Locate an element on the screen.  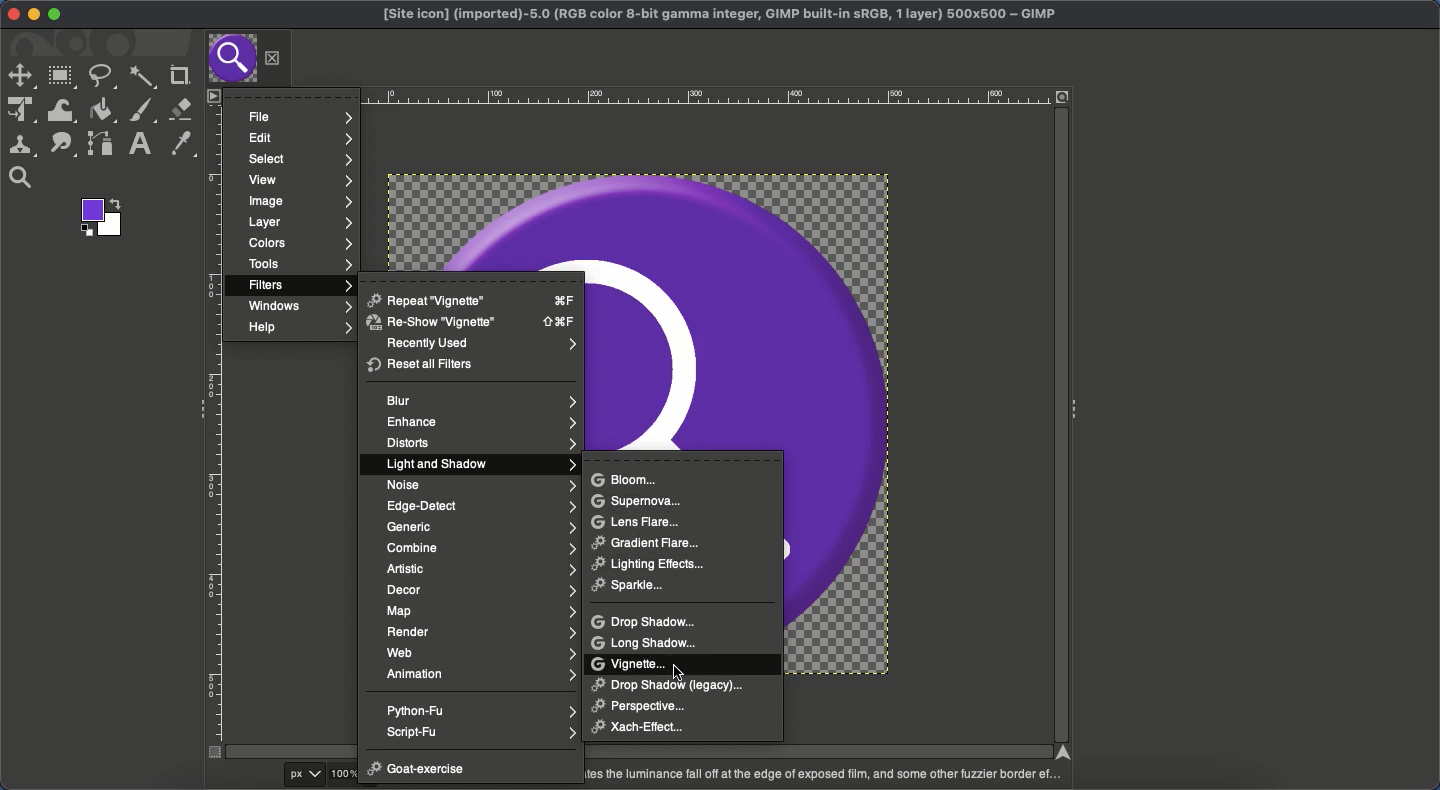
Edge detect is located at coordinates (482, 506).